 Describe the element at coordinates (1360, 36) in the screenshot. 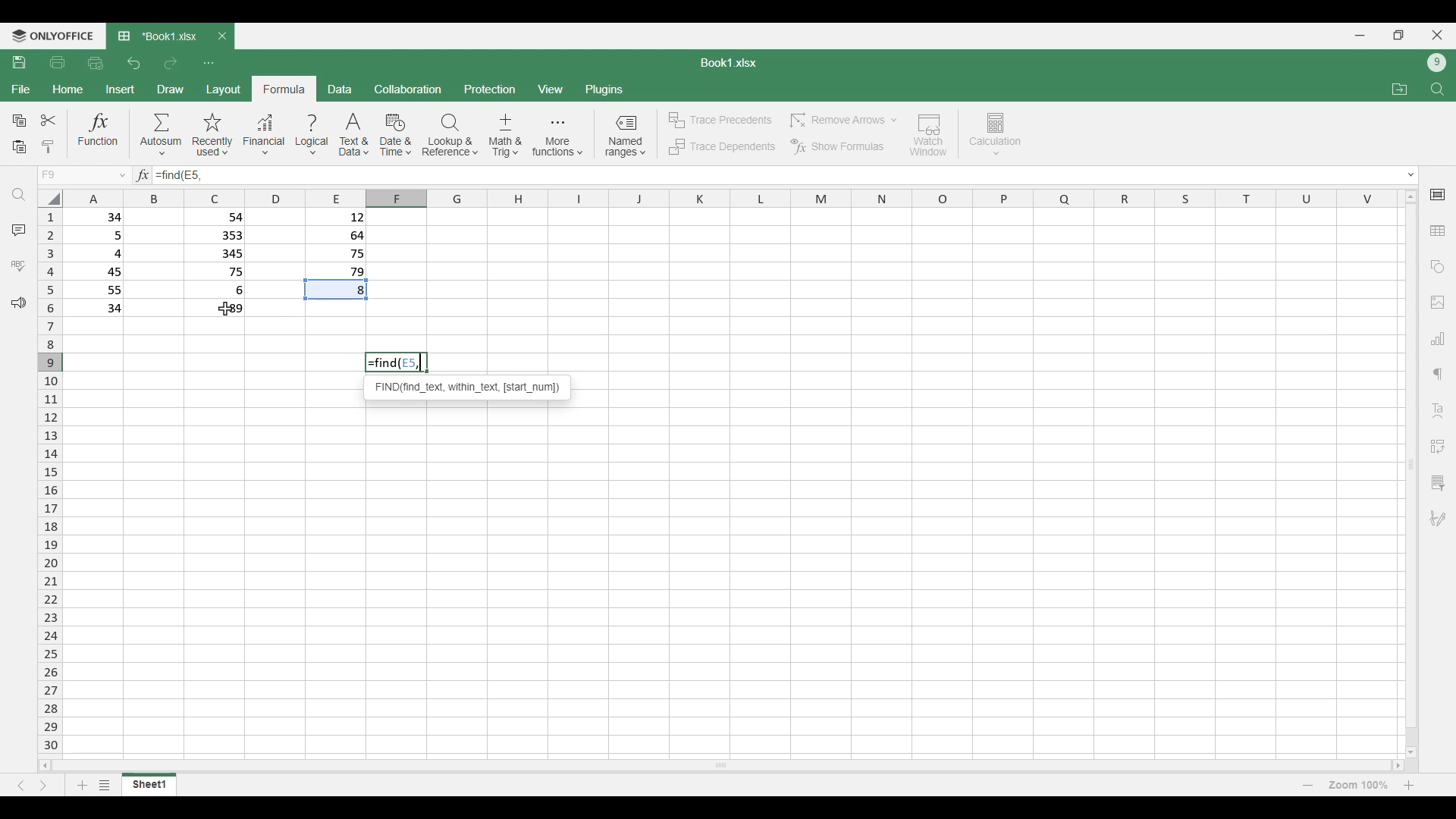

I see `Minimize` at that location.